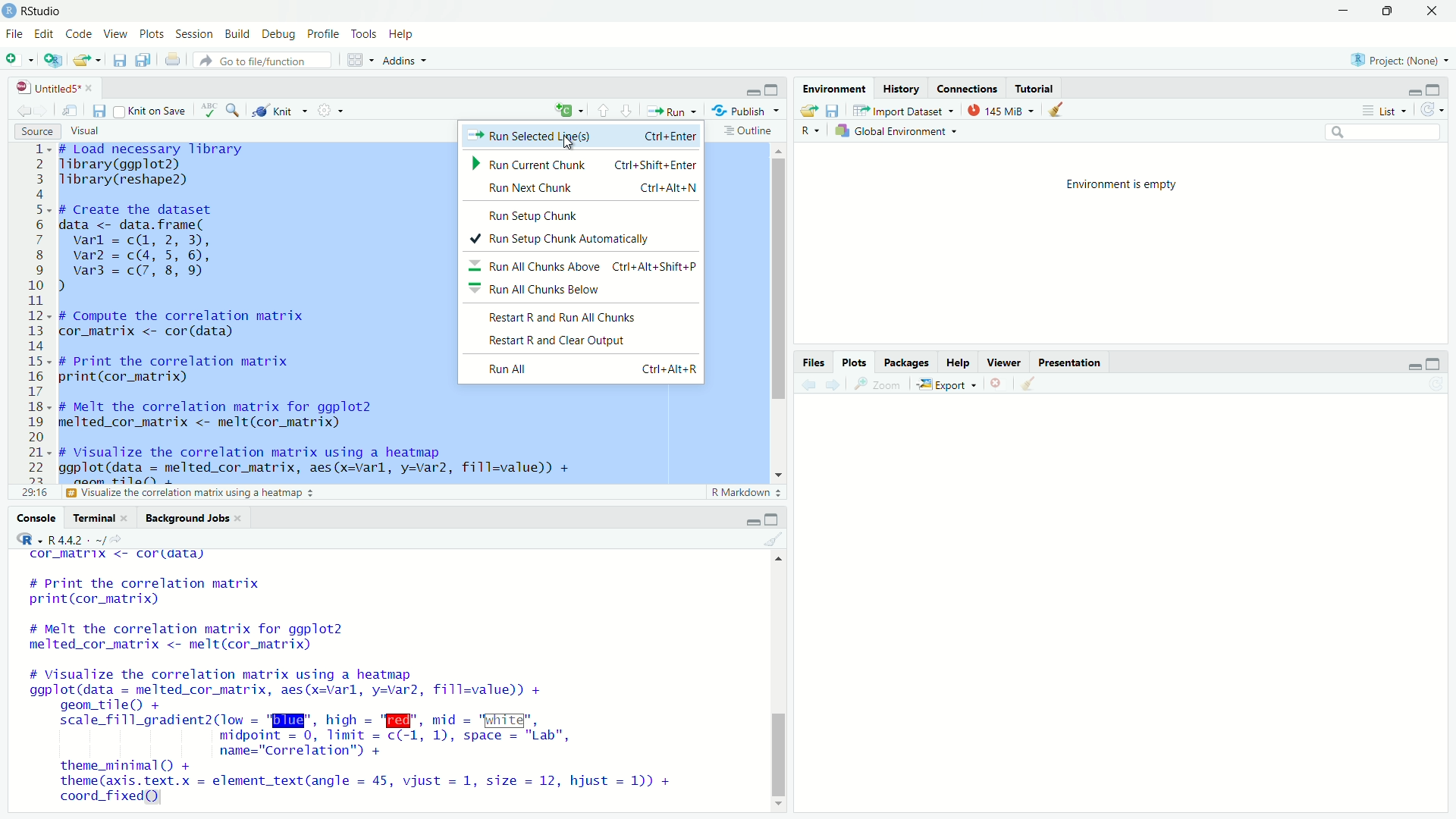 This screenshot has width=1456, height=819. Describe the element at coordinates (896, 132) in the screenshot. I see `global environment` at that location.